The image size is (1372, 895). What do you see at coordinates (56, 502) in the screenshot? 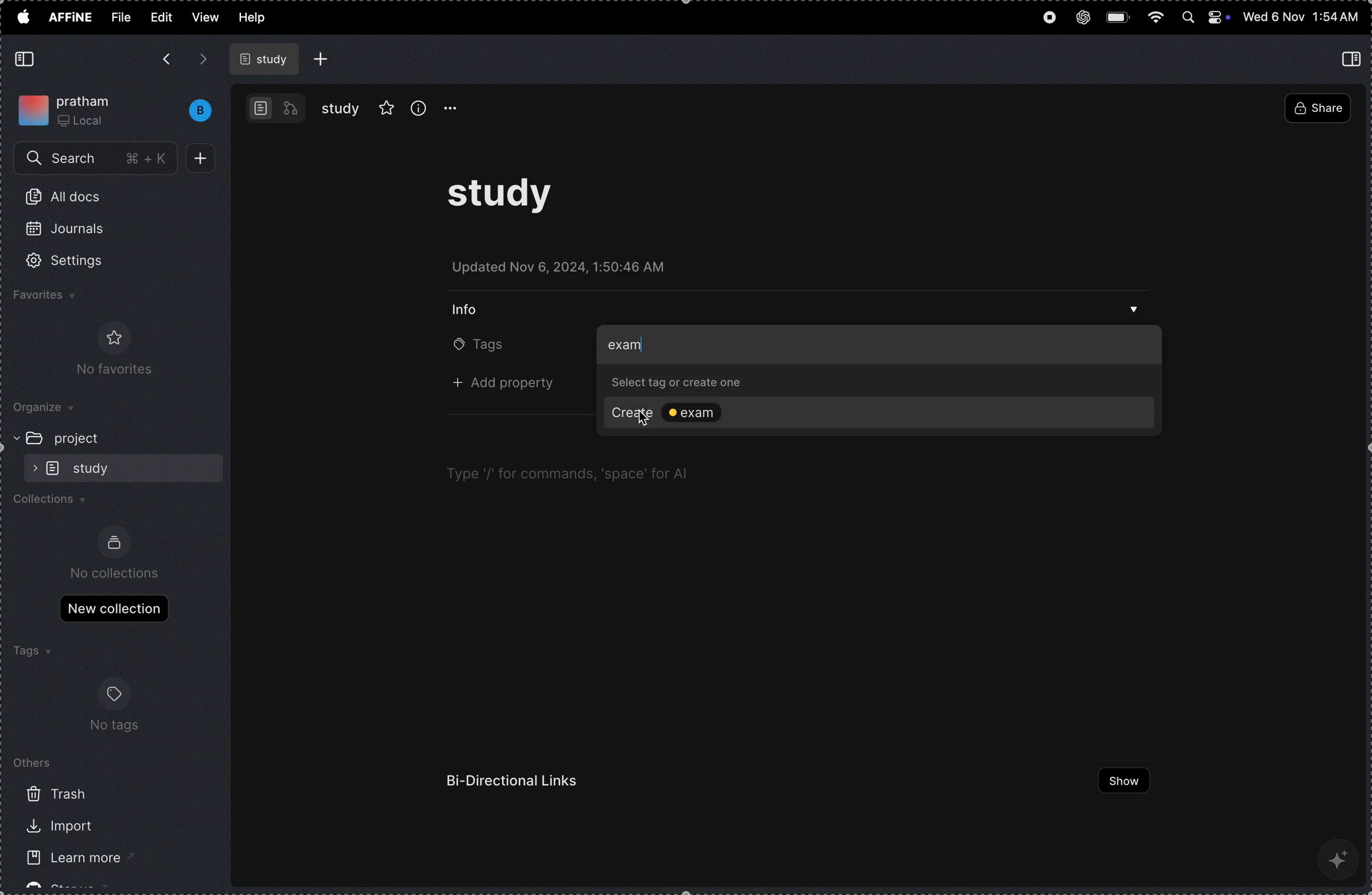
I see `collections` at bounding box center [56, 502].